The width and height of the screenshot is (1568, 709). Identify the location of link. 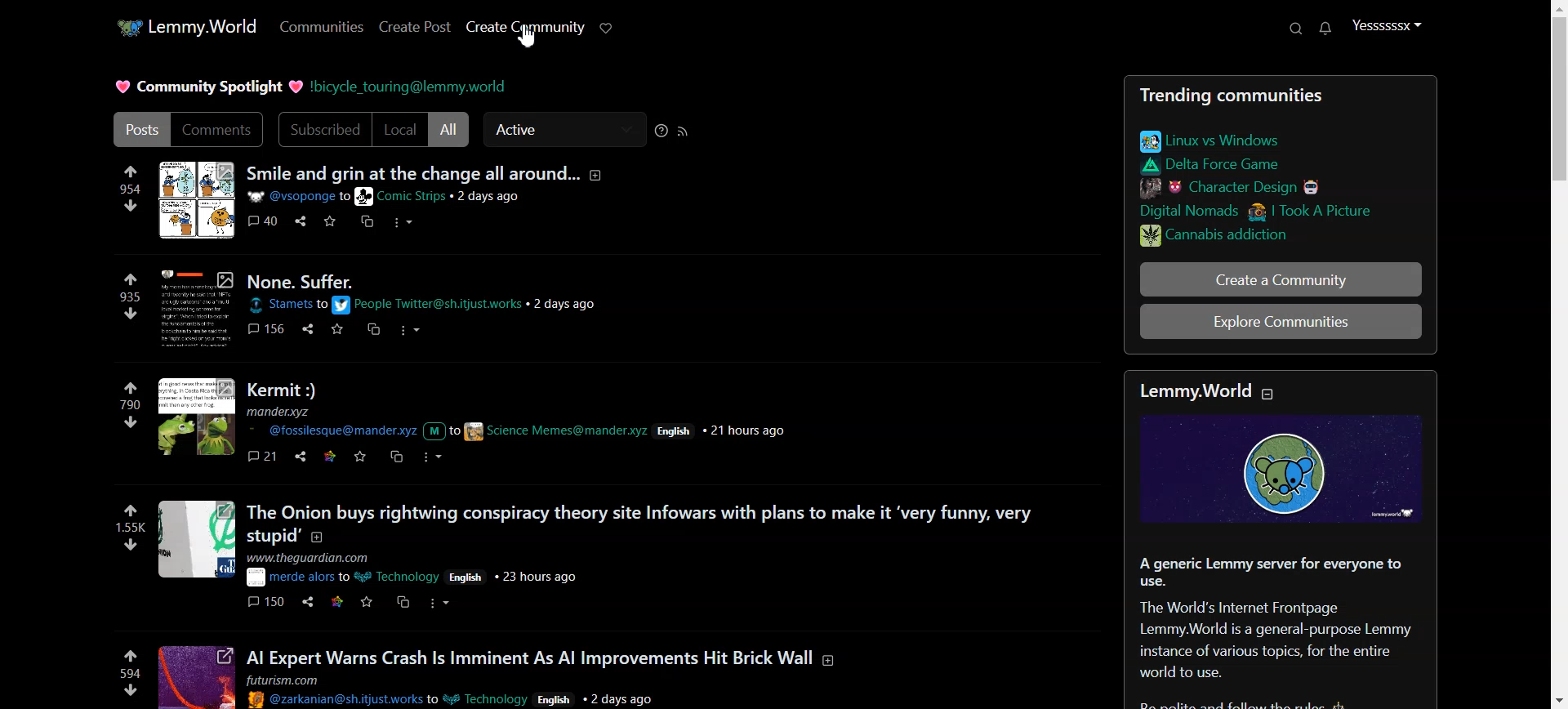
(338, 602).